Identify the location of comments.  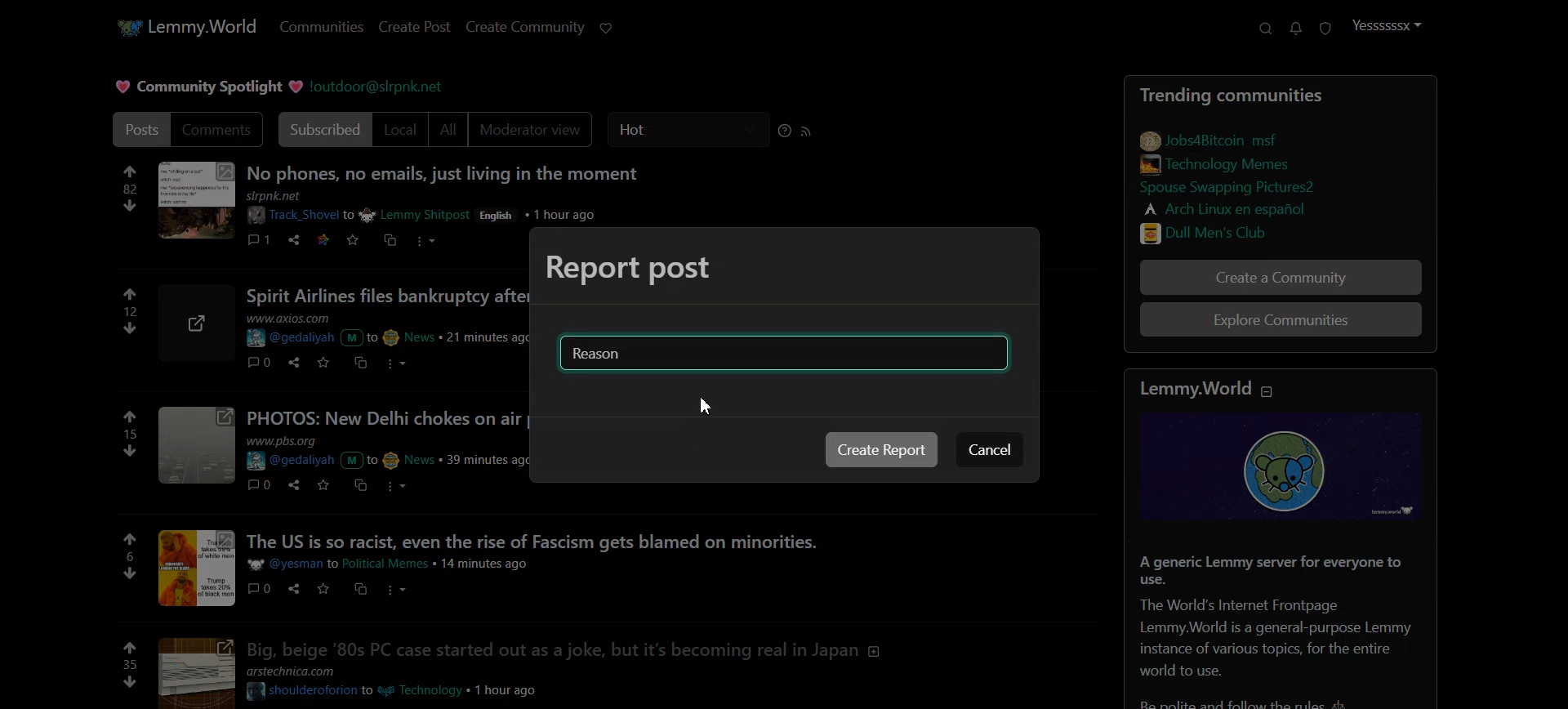
(259, 238).